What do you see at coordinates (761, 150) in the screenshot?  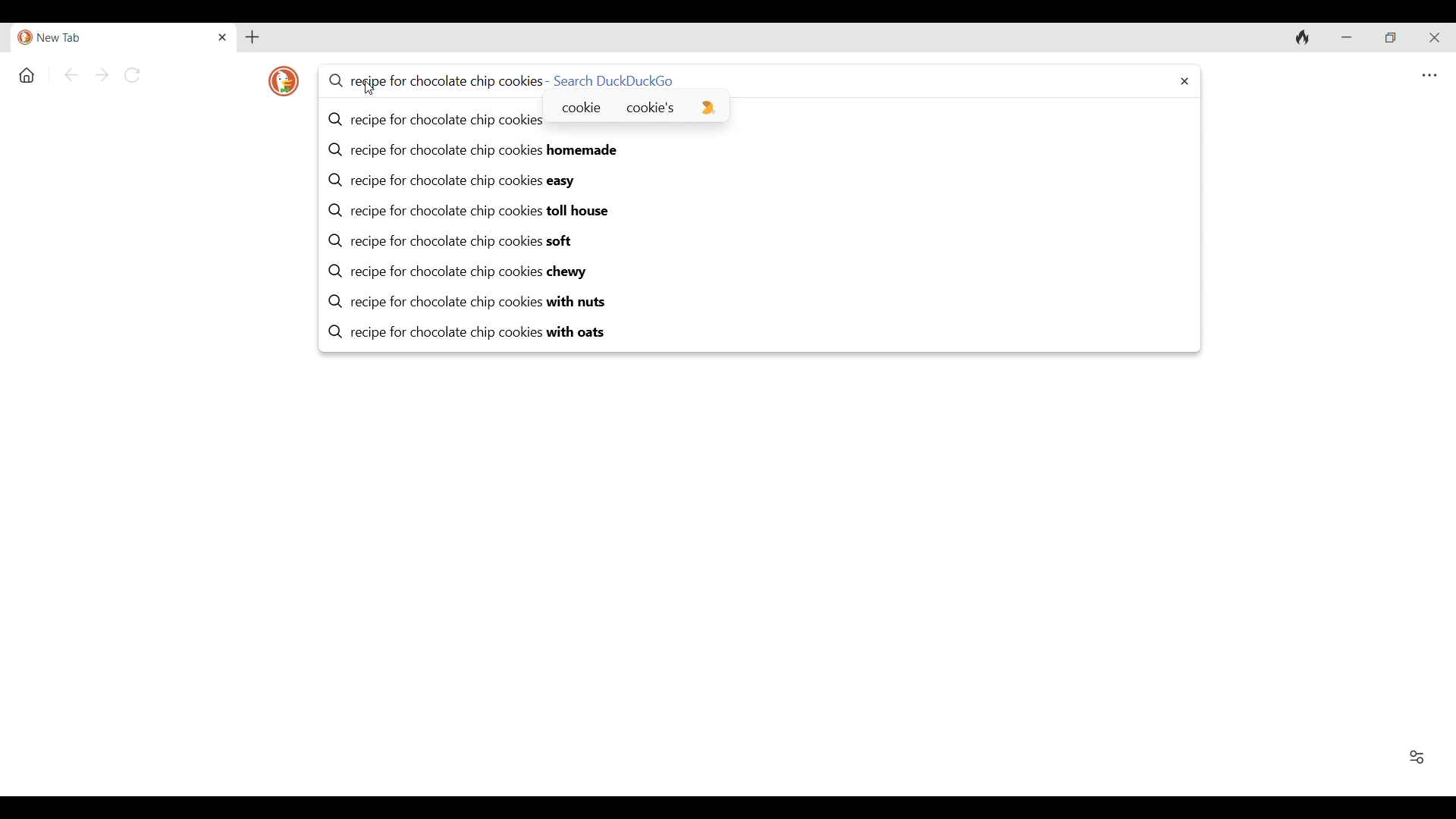 I see `Q recipe for chocolate chip cookies homemade` at bounding box center [761, 150].